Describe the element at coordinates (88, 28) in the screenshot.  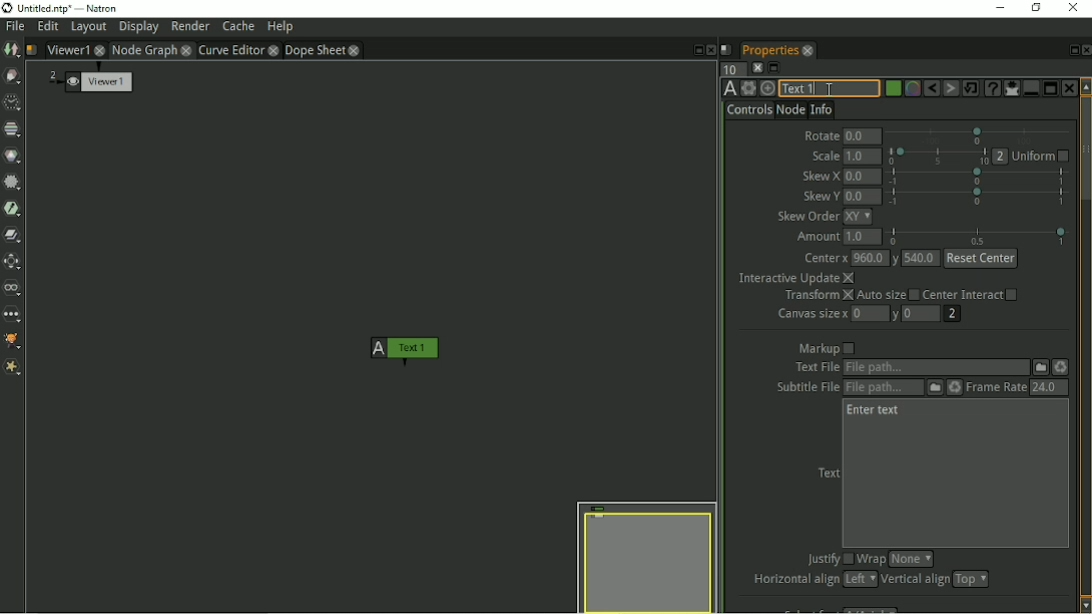
I see `Layout` at that location.